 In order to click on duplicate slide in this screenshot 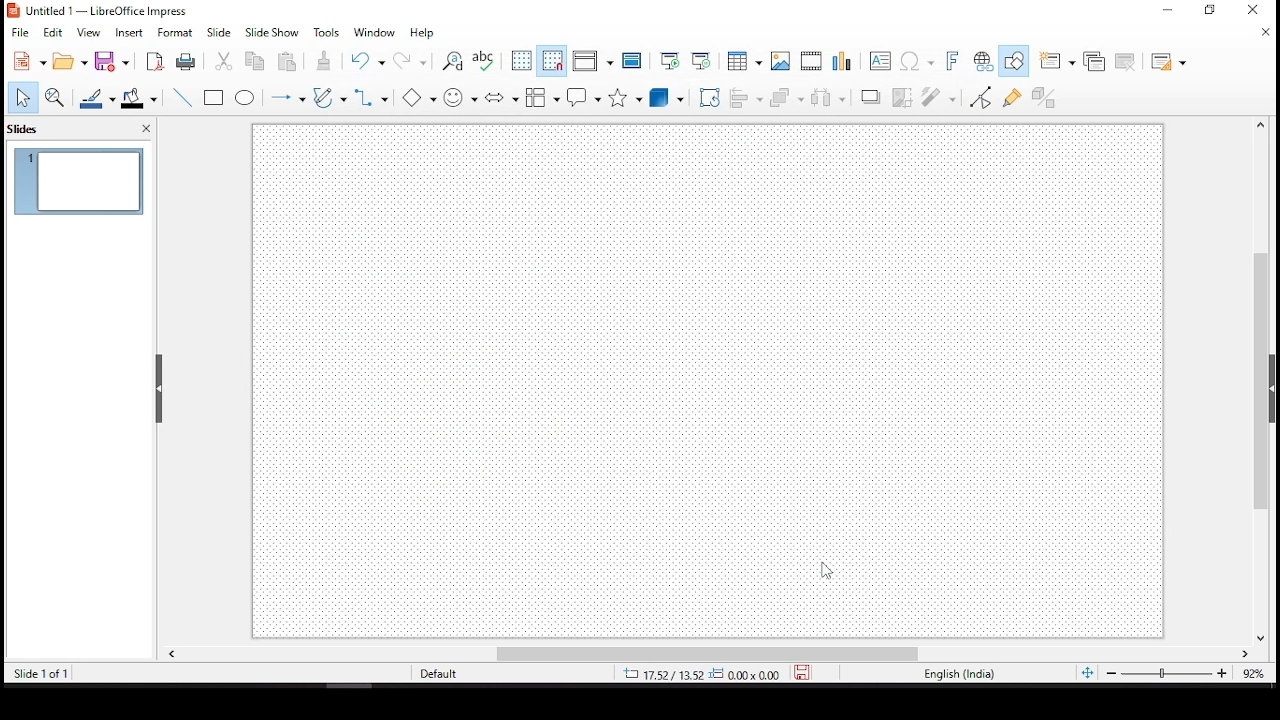, I will do `click(1094, 61)`.